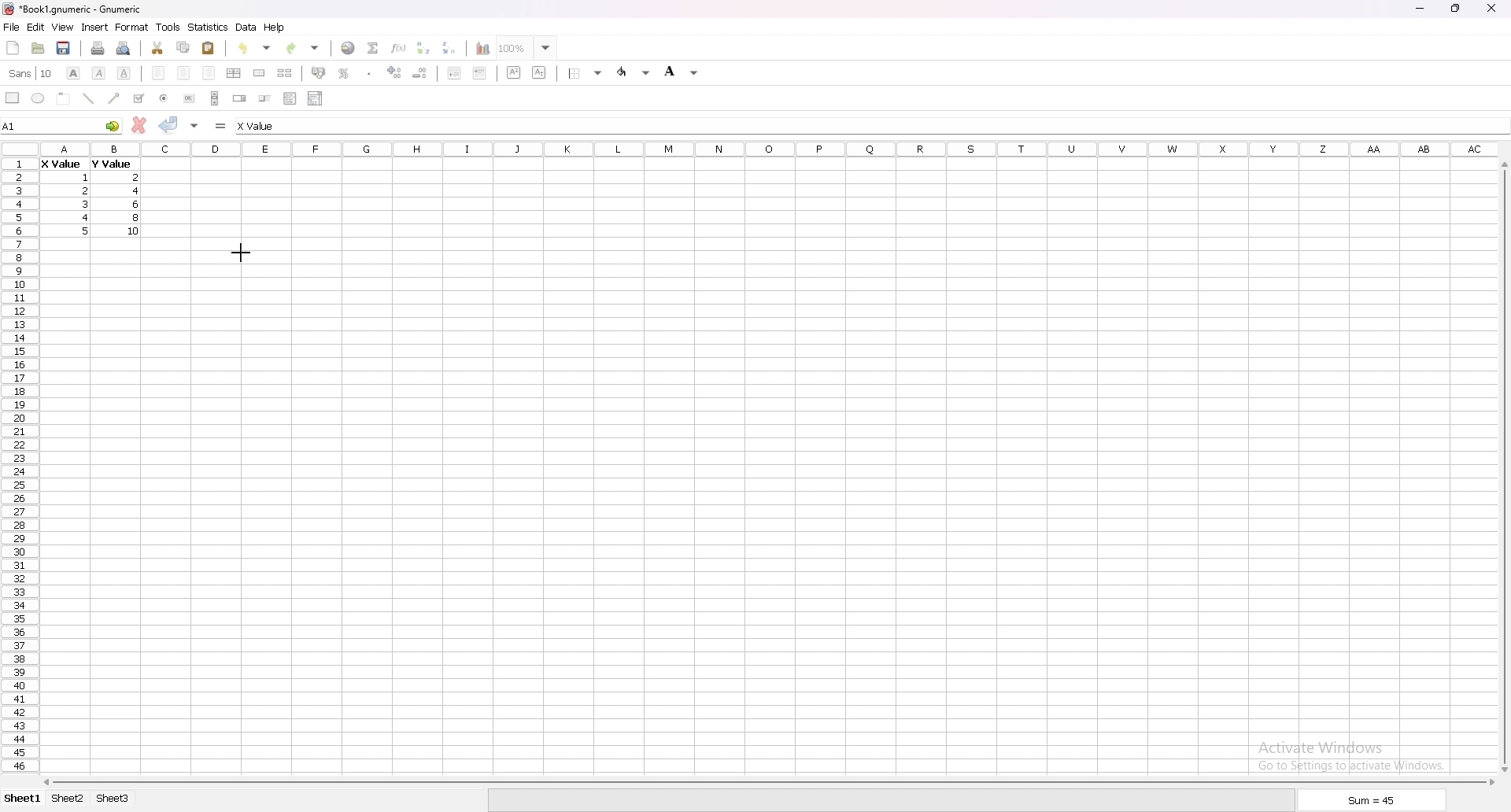 This screenshot has height=812, width=1511. Describe the element at coordinates (38, 48) in the screenshot. I see `open` at that location.